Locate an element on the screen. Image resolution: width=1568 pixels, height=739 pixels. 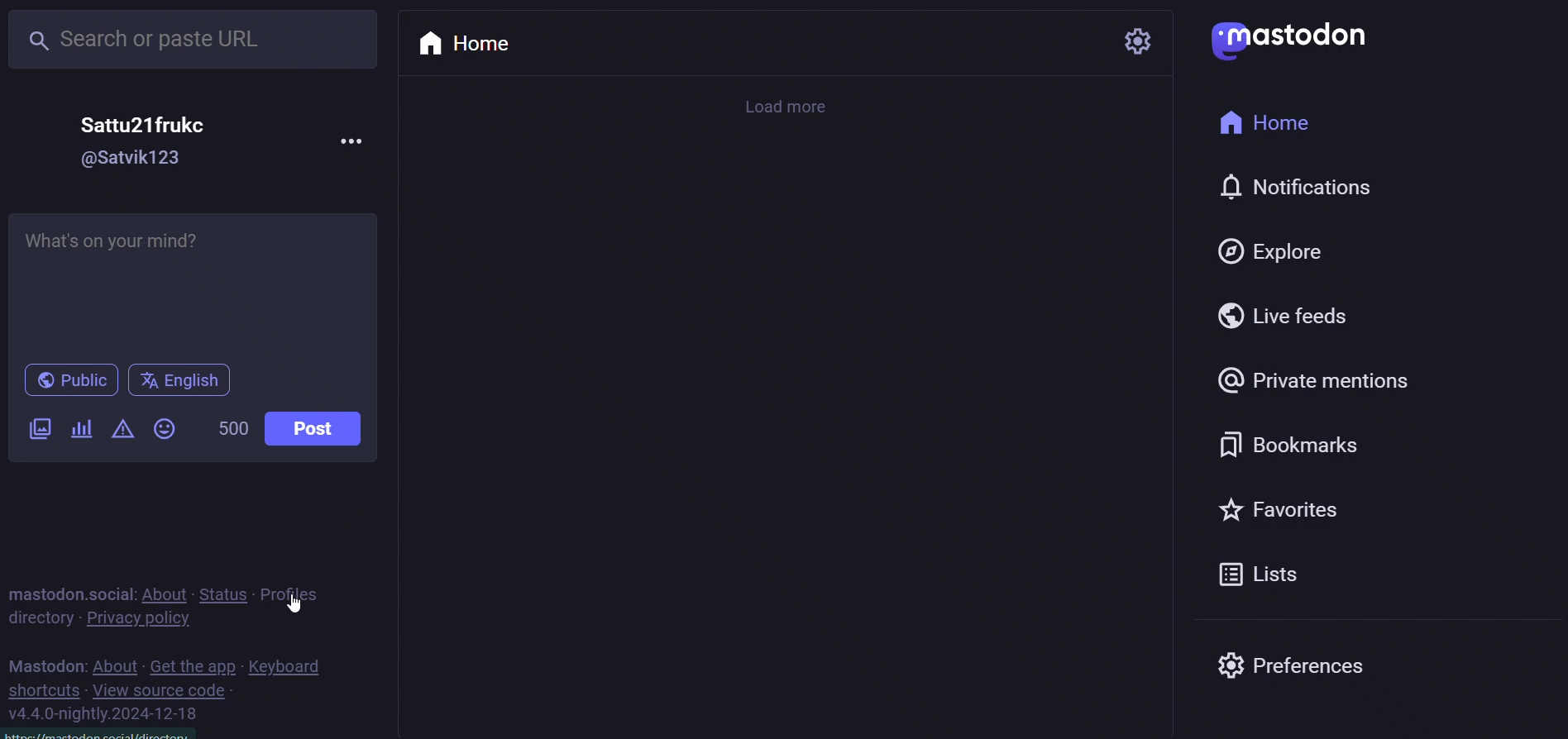
poll is located at coordinates (82, 429).